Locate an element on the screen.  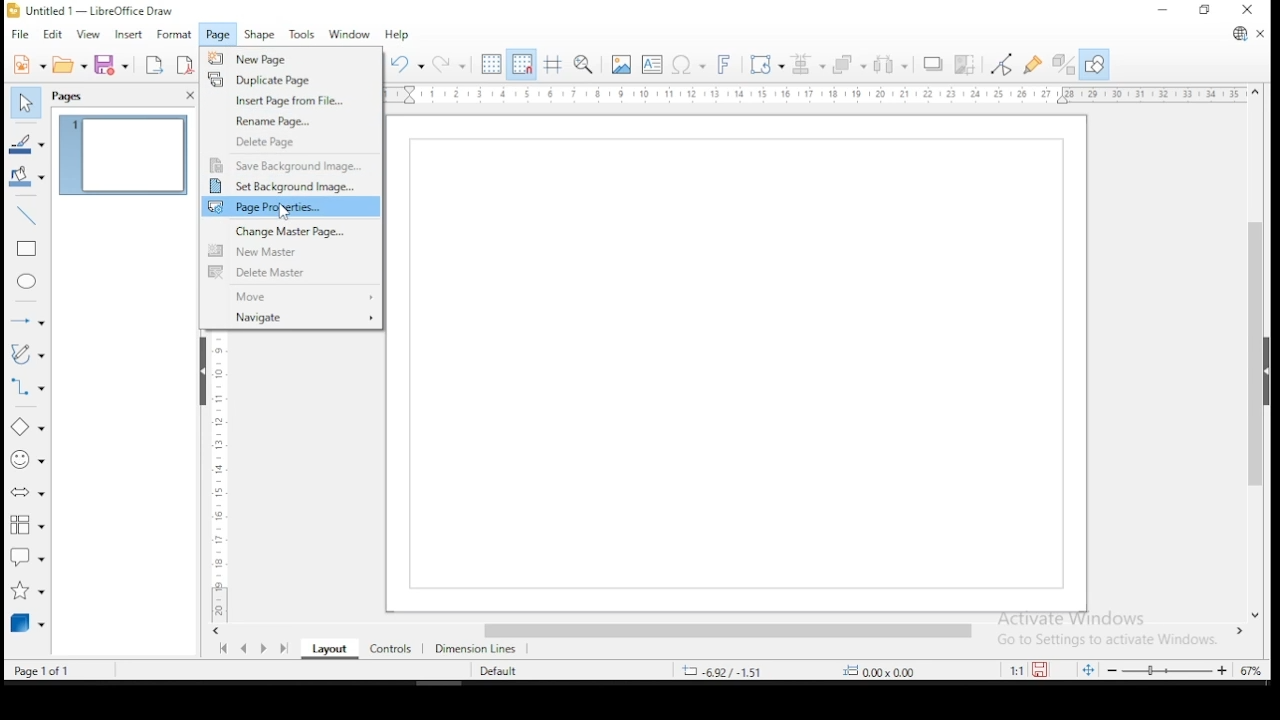
page is located at coordinates (219, 35).